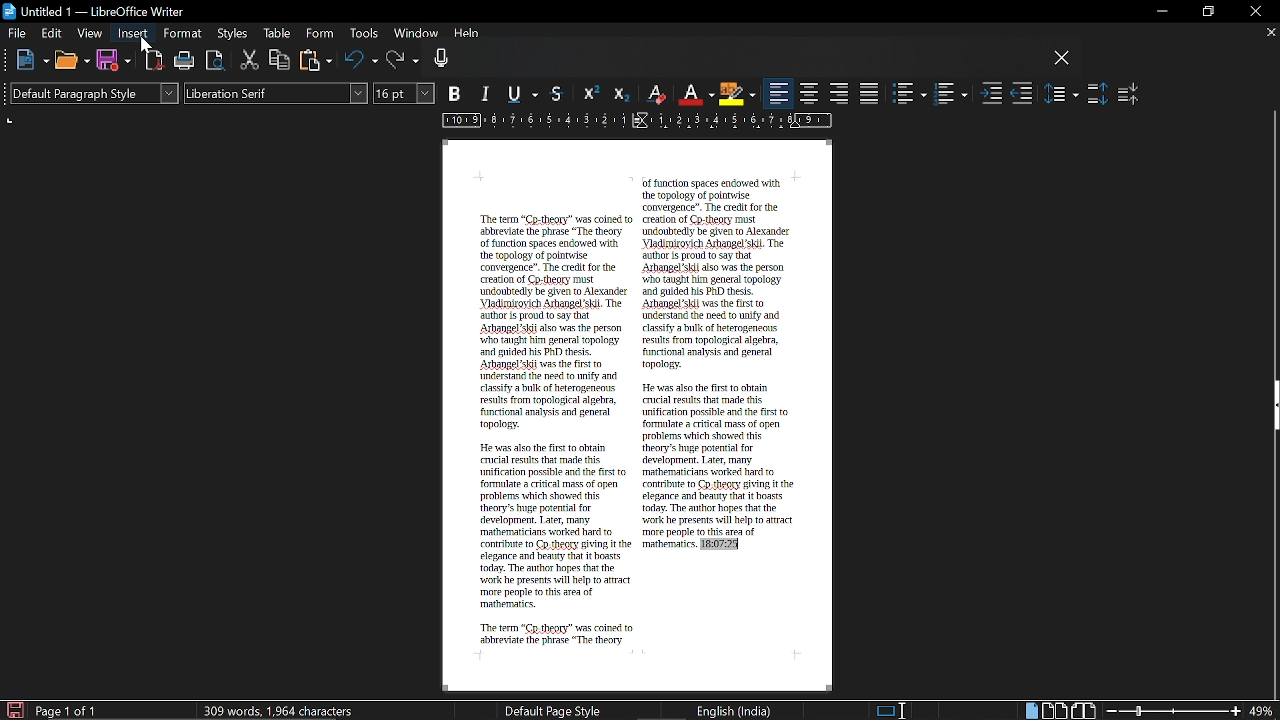 Image resolution: width=1280 pixels, height=720 pixels. Describe the element at coordinates (71, 62) in the screenshot. I see `Open` at that location.